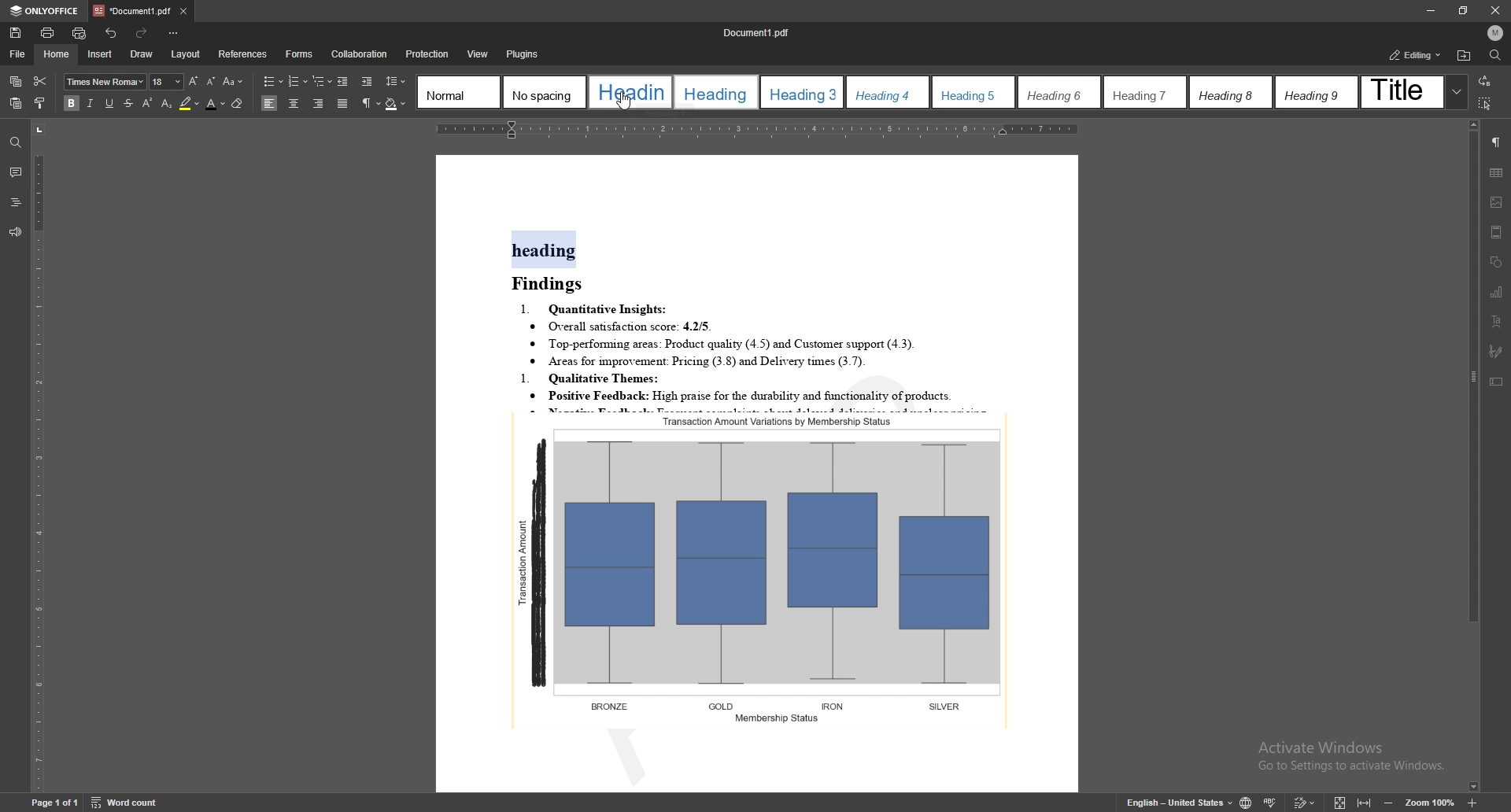  What do you see at coordinates (88, 104) in the screenshot?
I see `italic` at bounding box center [88, 104].